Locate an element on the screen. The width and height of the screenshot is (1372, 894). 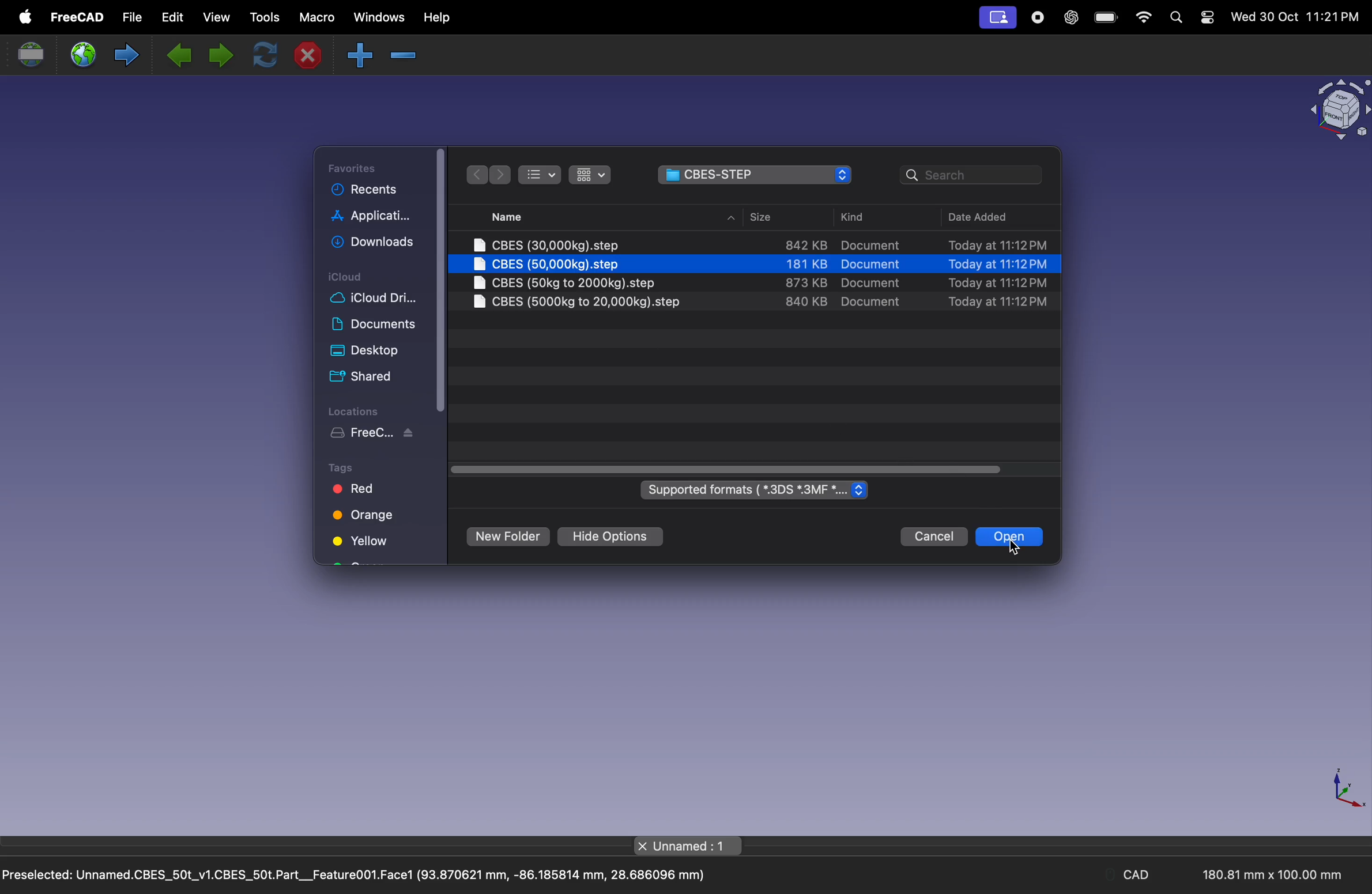
Preselected: Unnamed.CBES_50t_v1.CBES_50t.Part__Feature001.Face1 (93.870621 mm, -86.185814 mm, 28.686096 mm) is located at coordinates (355, 877).